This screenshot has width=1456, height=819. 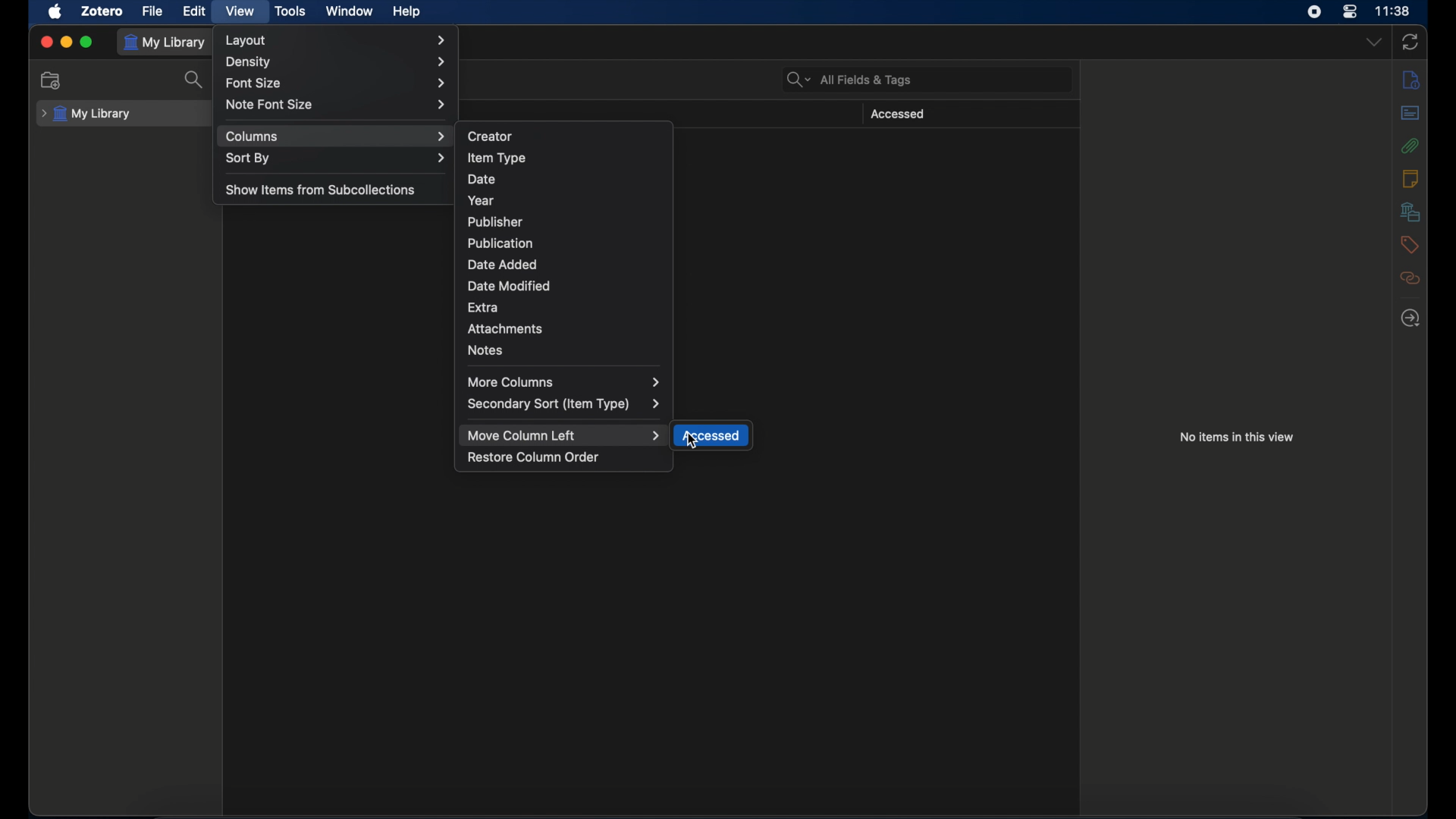 I want to click on view, so click(x=240, y=11).